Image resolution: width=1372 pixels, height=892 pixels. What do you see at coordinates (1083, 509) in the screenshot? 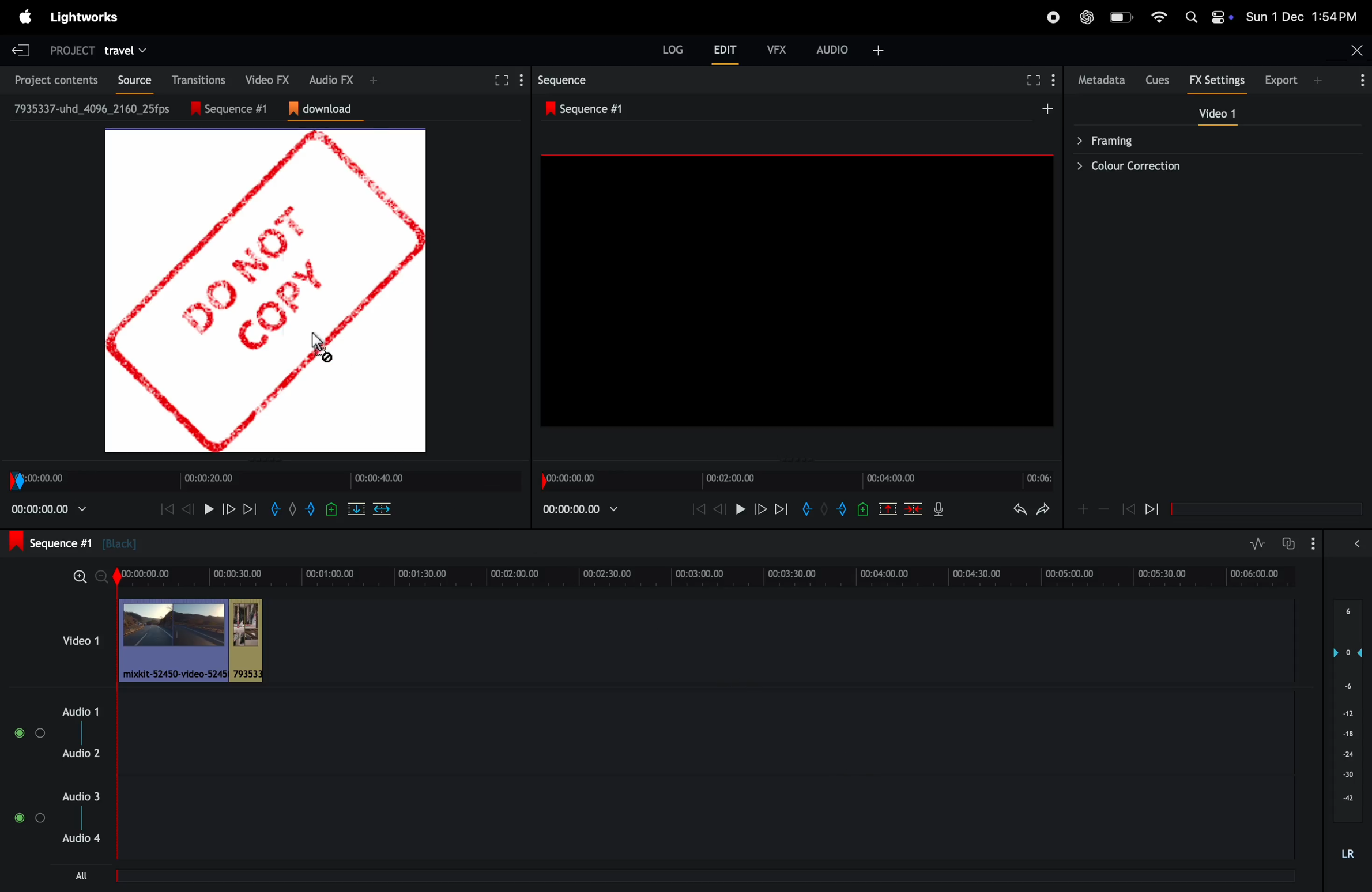
I see `Add` at bounding box center [1083, 509].